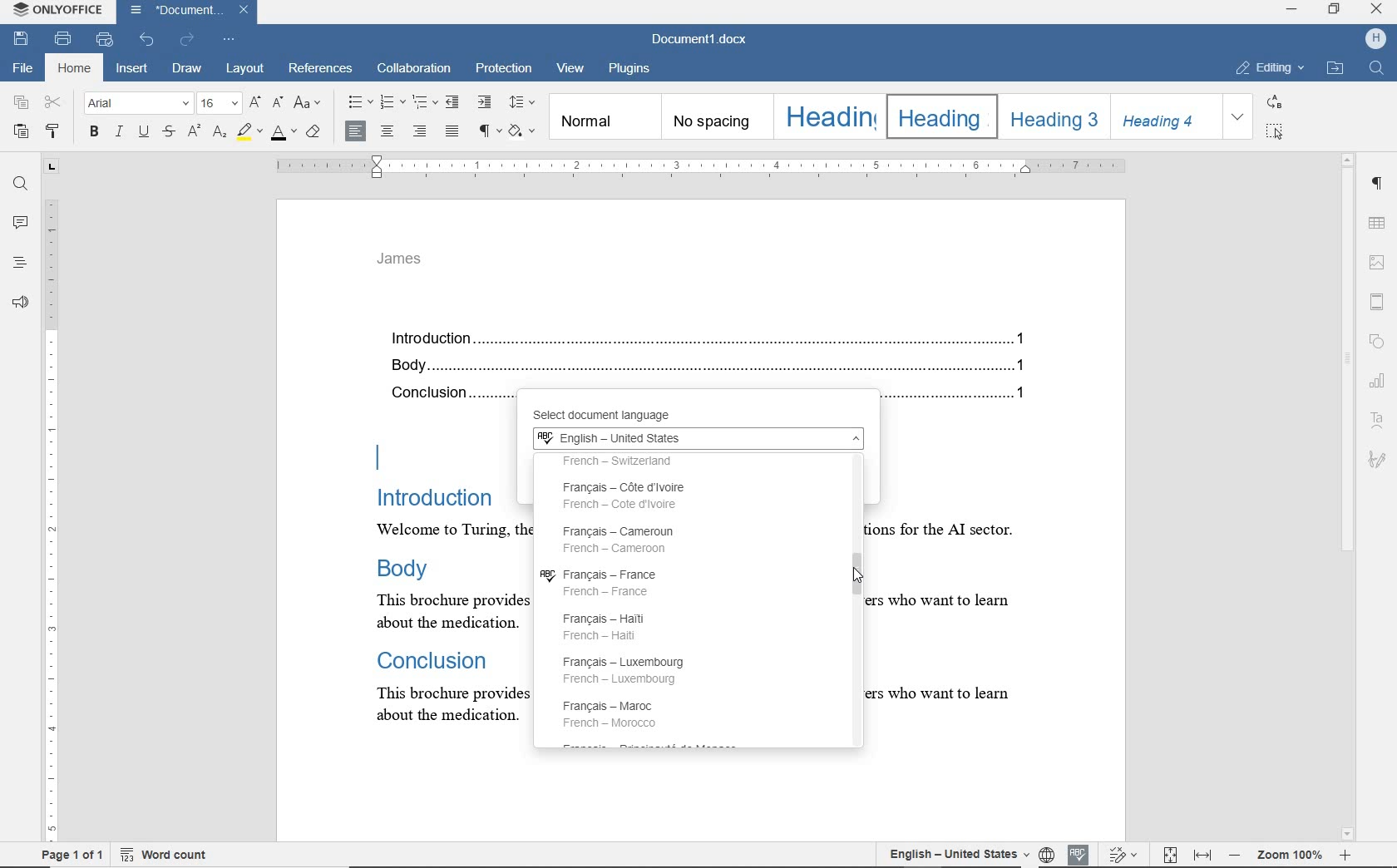 The image size is (1397, 868). Describe the element at coordinates (173, 854) in the screenshot. I see `word count` at that location.